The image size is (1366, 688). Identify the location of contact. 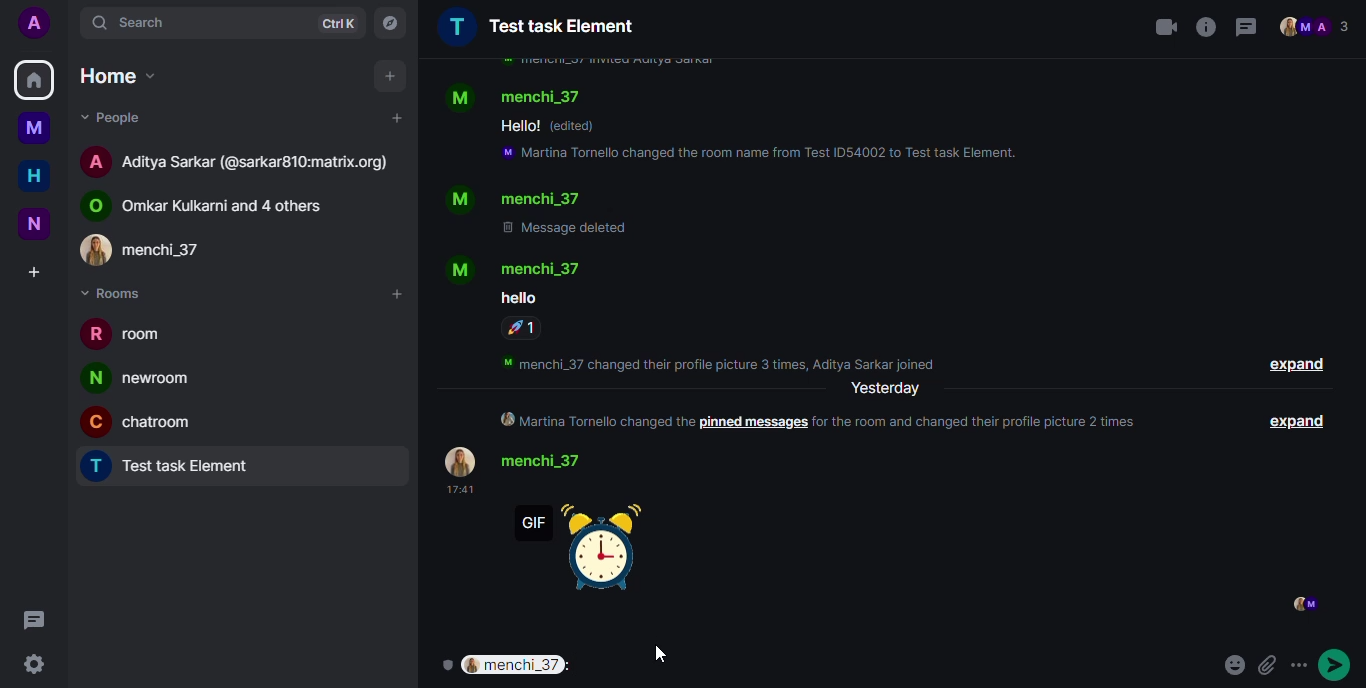
(518, 268).